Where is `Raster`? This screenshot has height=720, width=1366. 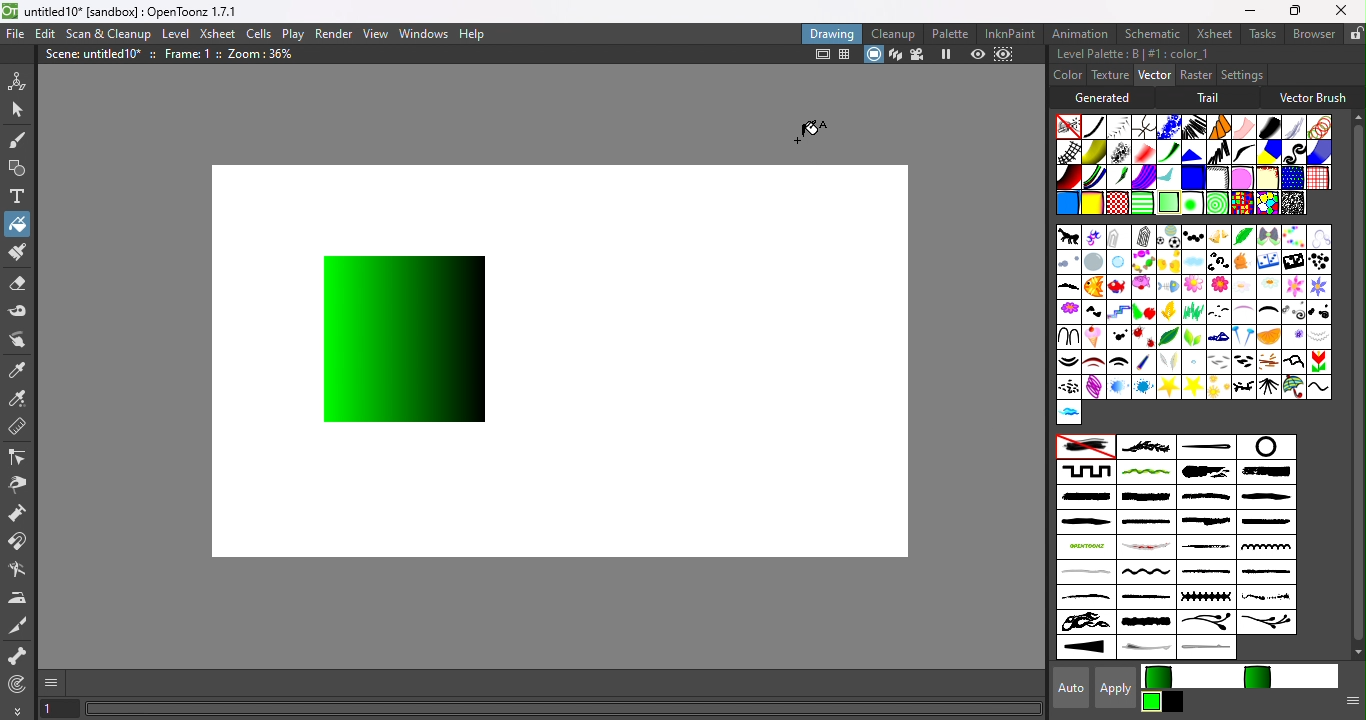 Raster is located at coordinates (1196, 76).